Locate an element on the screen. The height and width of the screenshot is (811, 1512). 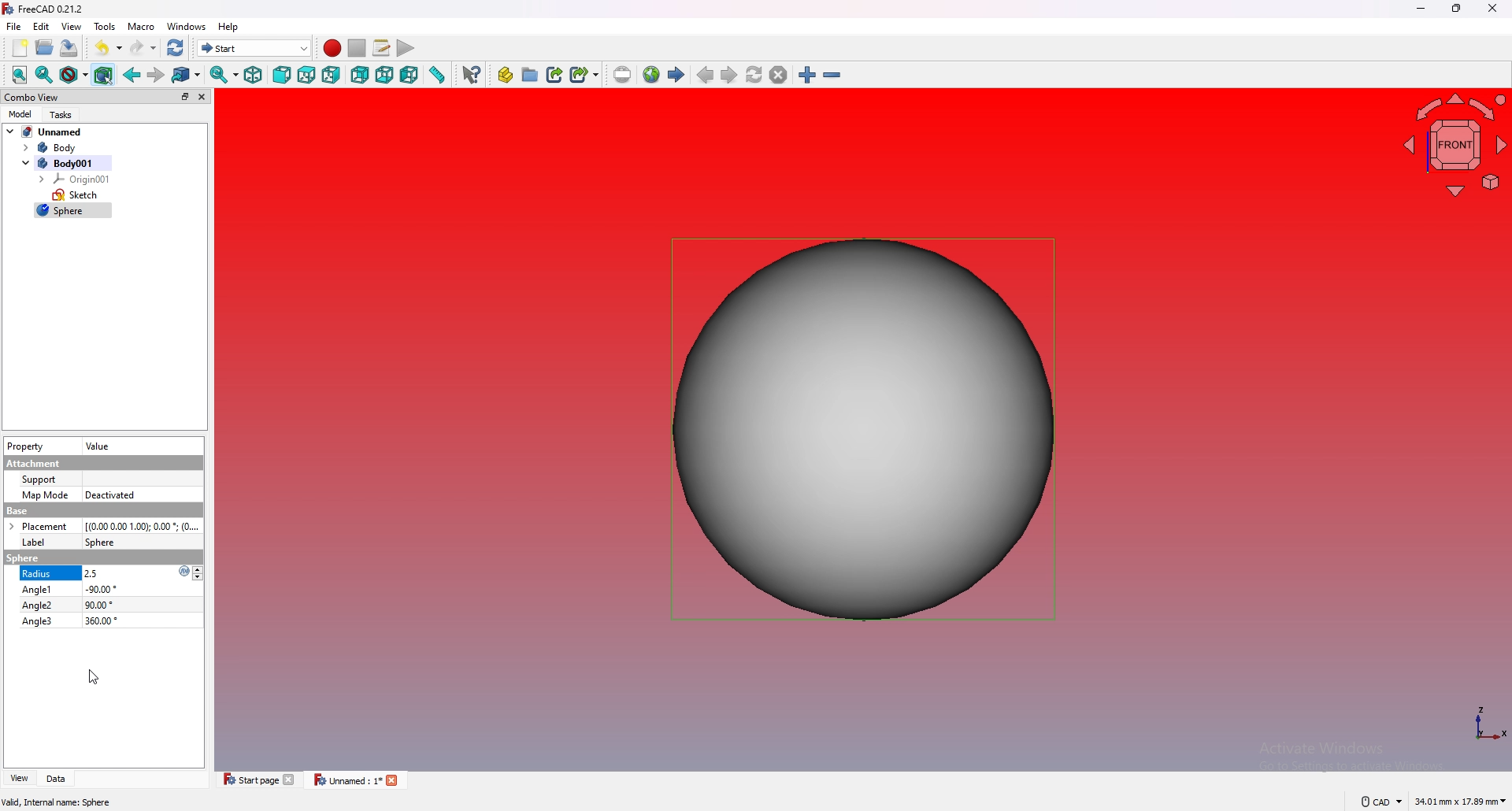
dimensions is located at coordinates (1461, 802).